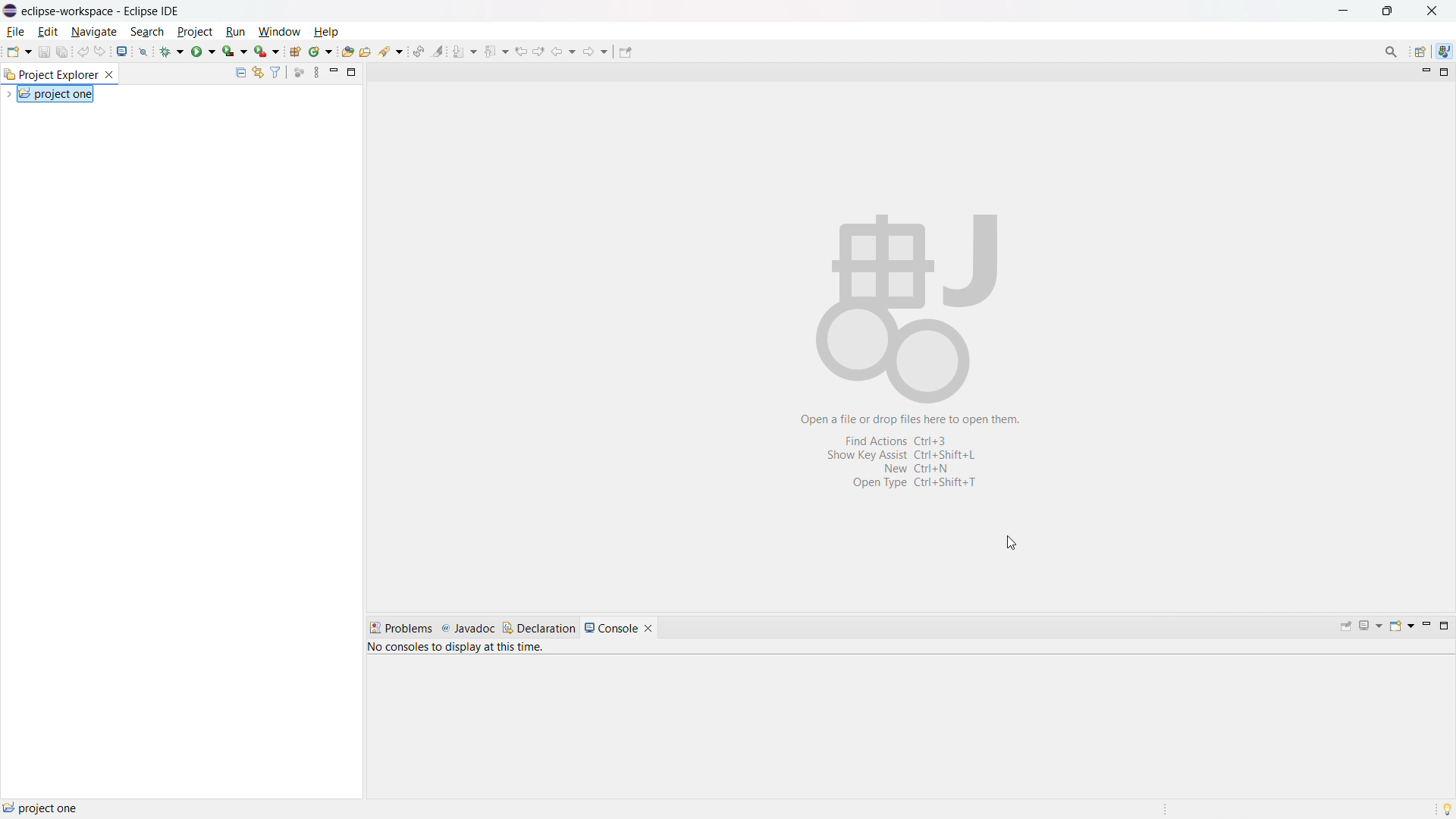 The width and height of the screenshot is (1456, 819). Describe the element at coordinates (539, 628) in the screenshot. I see `declaration` at that location.